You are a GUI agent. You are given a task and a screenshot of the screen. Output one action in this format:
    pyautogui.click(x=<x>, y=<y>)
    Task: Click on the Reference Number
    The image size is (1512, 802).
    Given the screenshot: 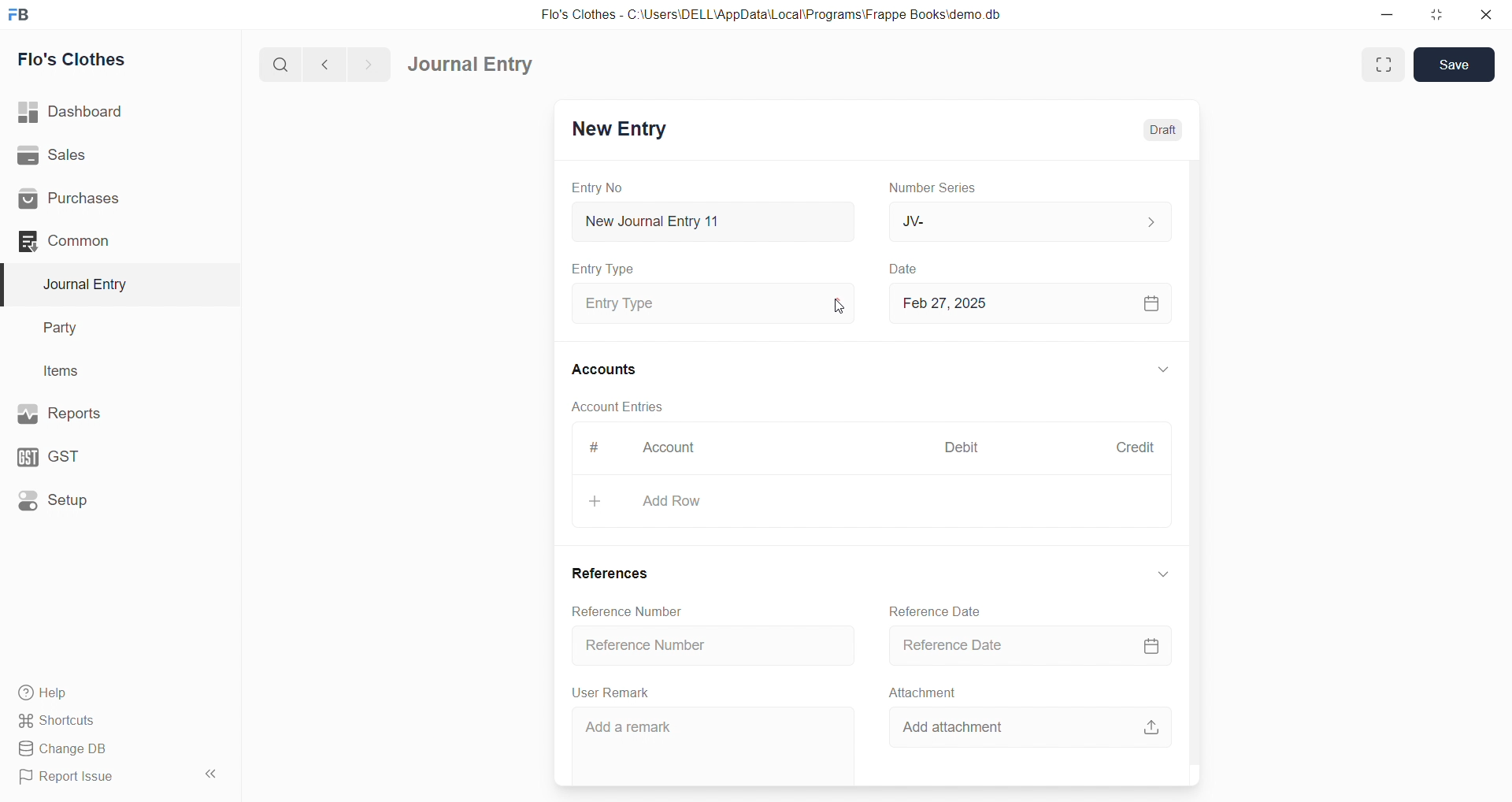 What is the action you would take?
    pyautogui.click(x=714, y=646)
    